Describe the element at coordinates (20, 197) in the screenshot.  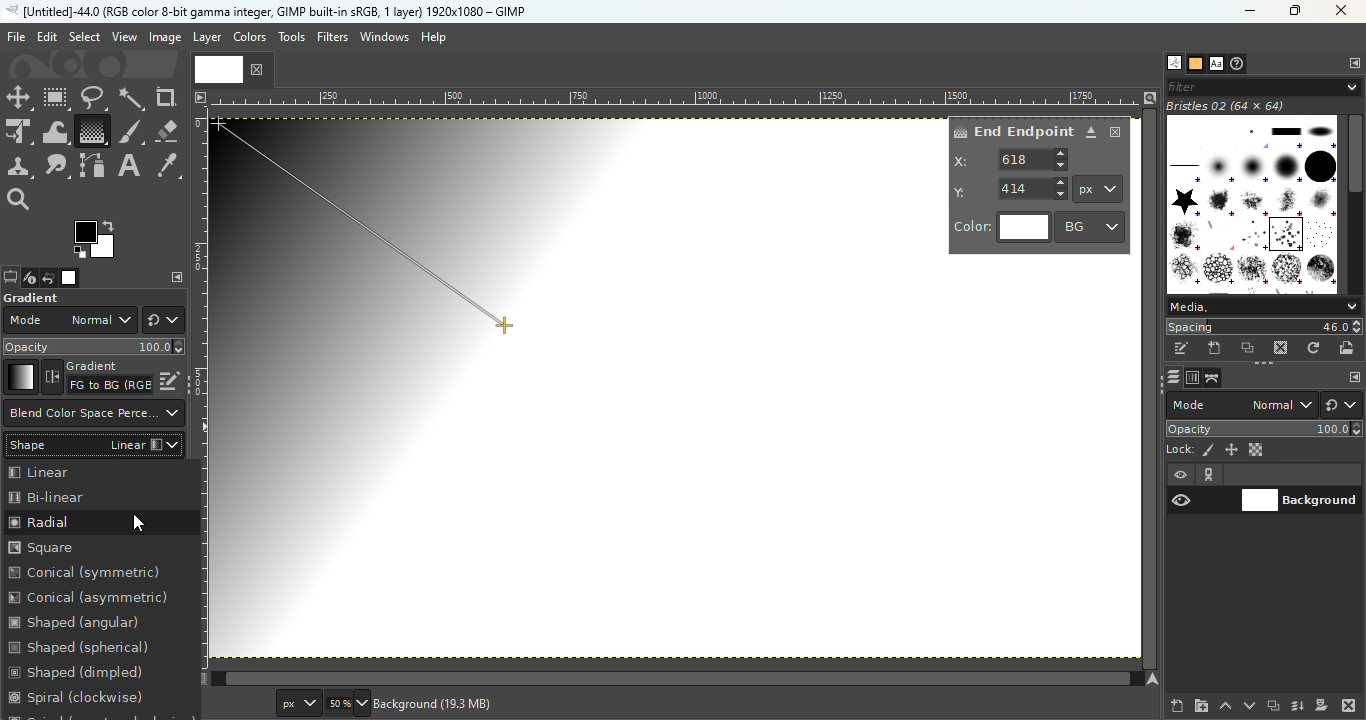
I see `Zoom tool` at that location.